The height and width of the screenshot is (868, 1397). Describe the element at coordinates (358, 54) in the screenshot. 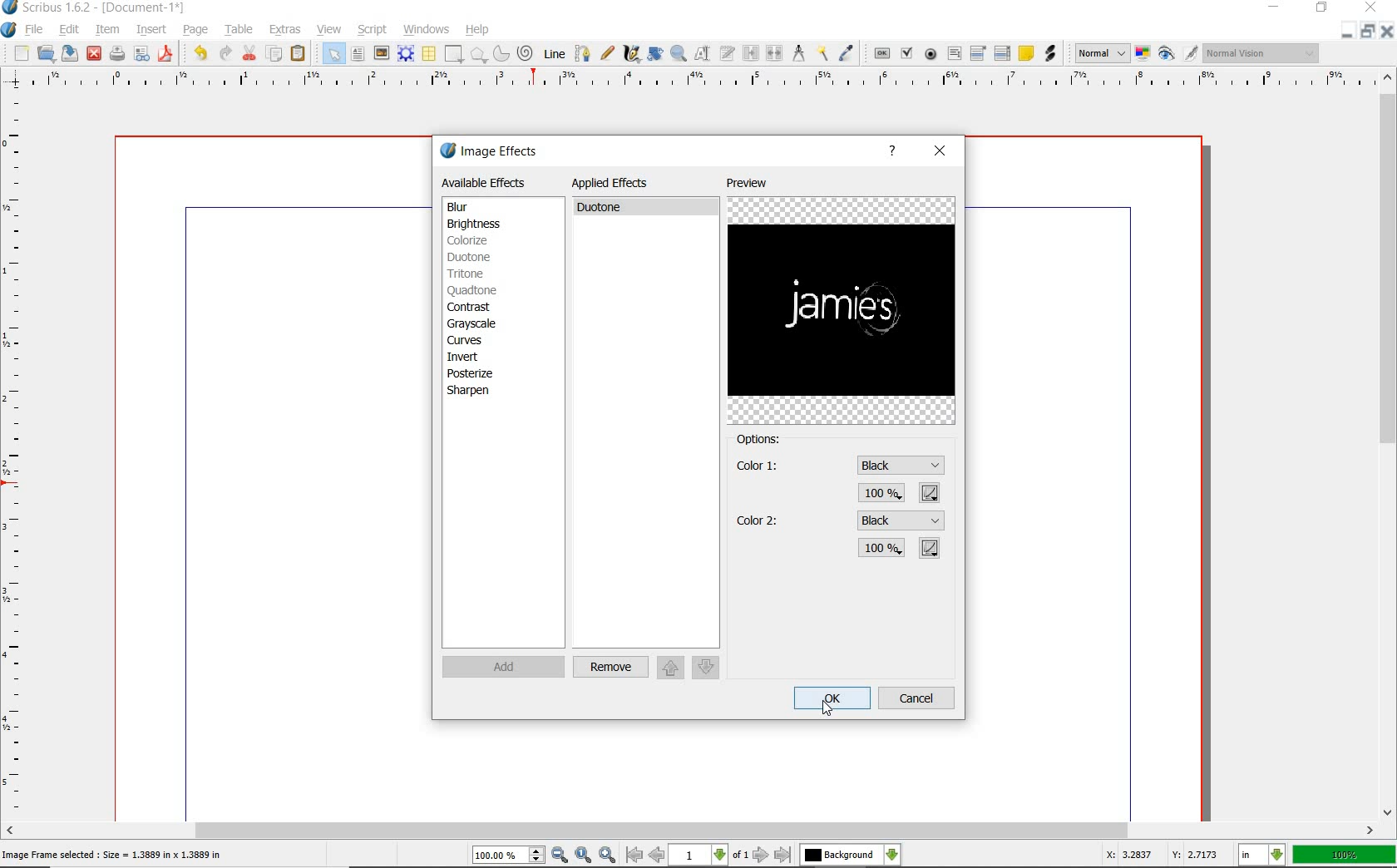

I see `text frame` at that location.